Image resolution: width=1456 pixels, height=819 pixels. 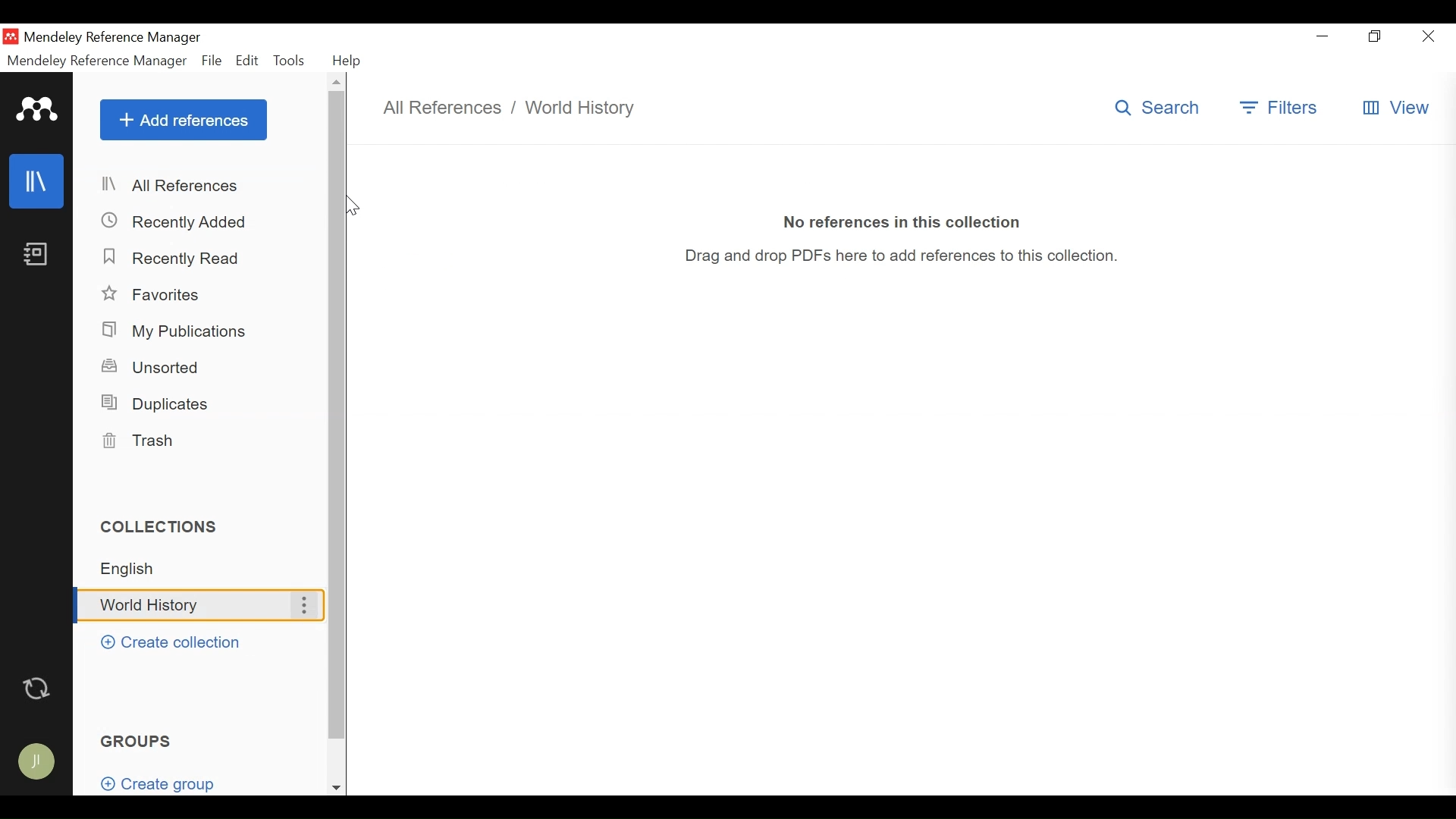 I want to click on Edit, so click(x=248, y=61).